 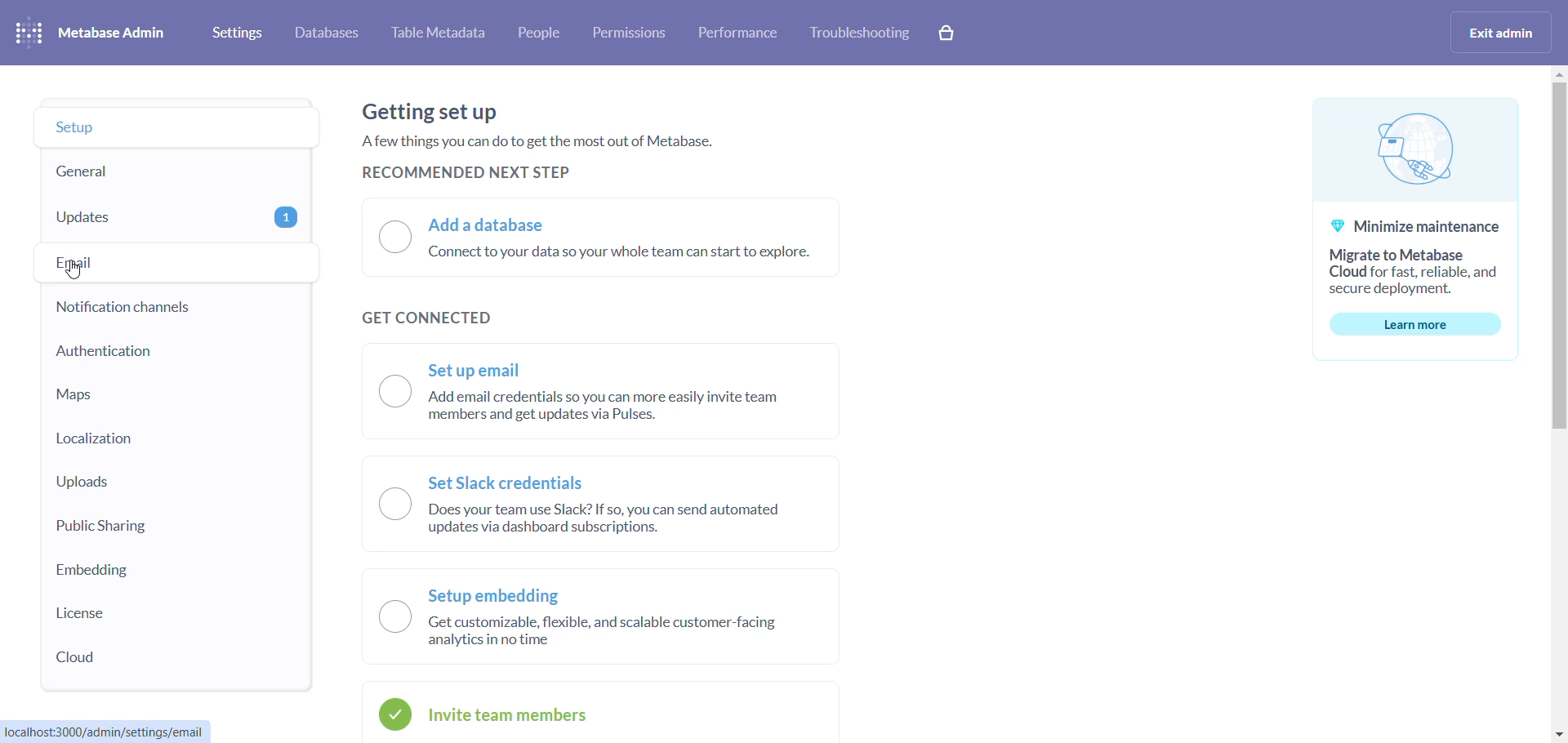 What do you see at coordinates (581, 625) in the screenshot?
I see `Setup embedding
O Get customizable, flexible, and scalable customer-facing
analytics in no time` at bounding box center [581, 625].